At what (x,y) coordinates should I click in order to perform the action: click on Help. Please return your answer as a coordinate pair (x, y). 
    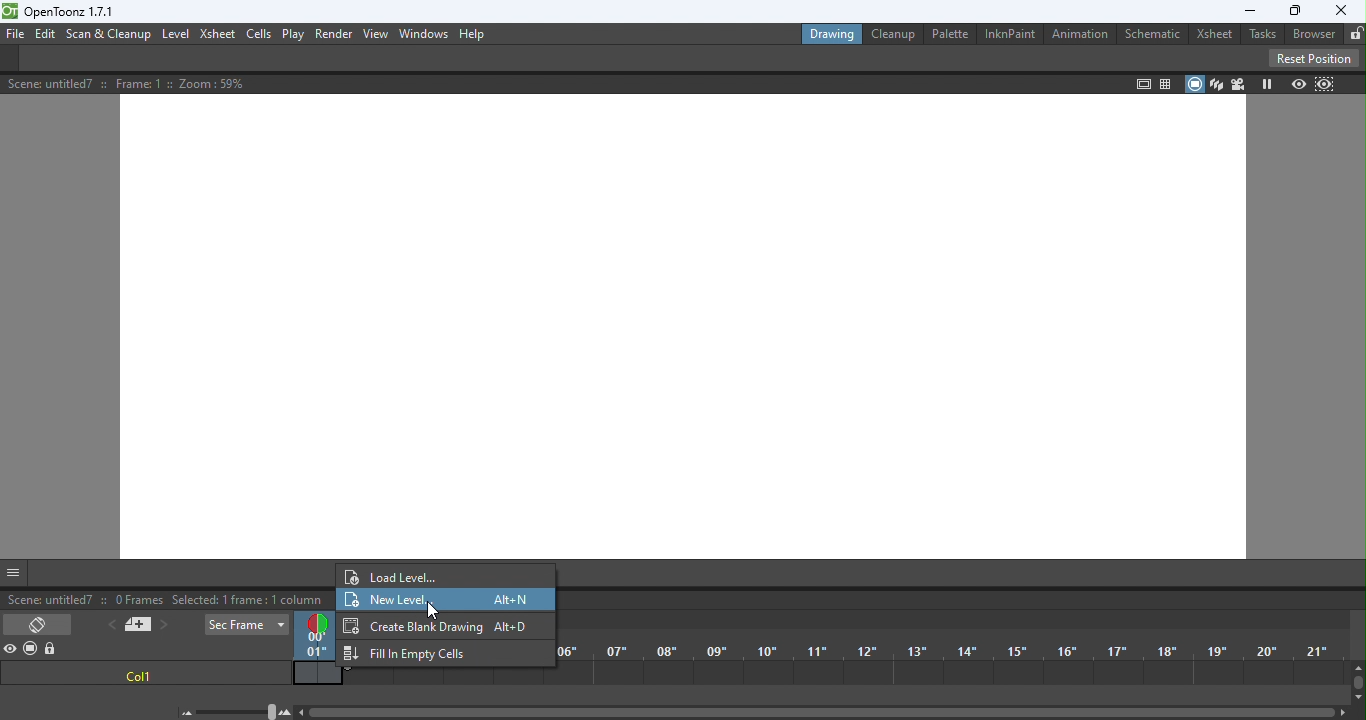
    Looking at the image, I should click on (477, 36).